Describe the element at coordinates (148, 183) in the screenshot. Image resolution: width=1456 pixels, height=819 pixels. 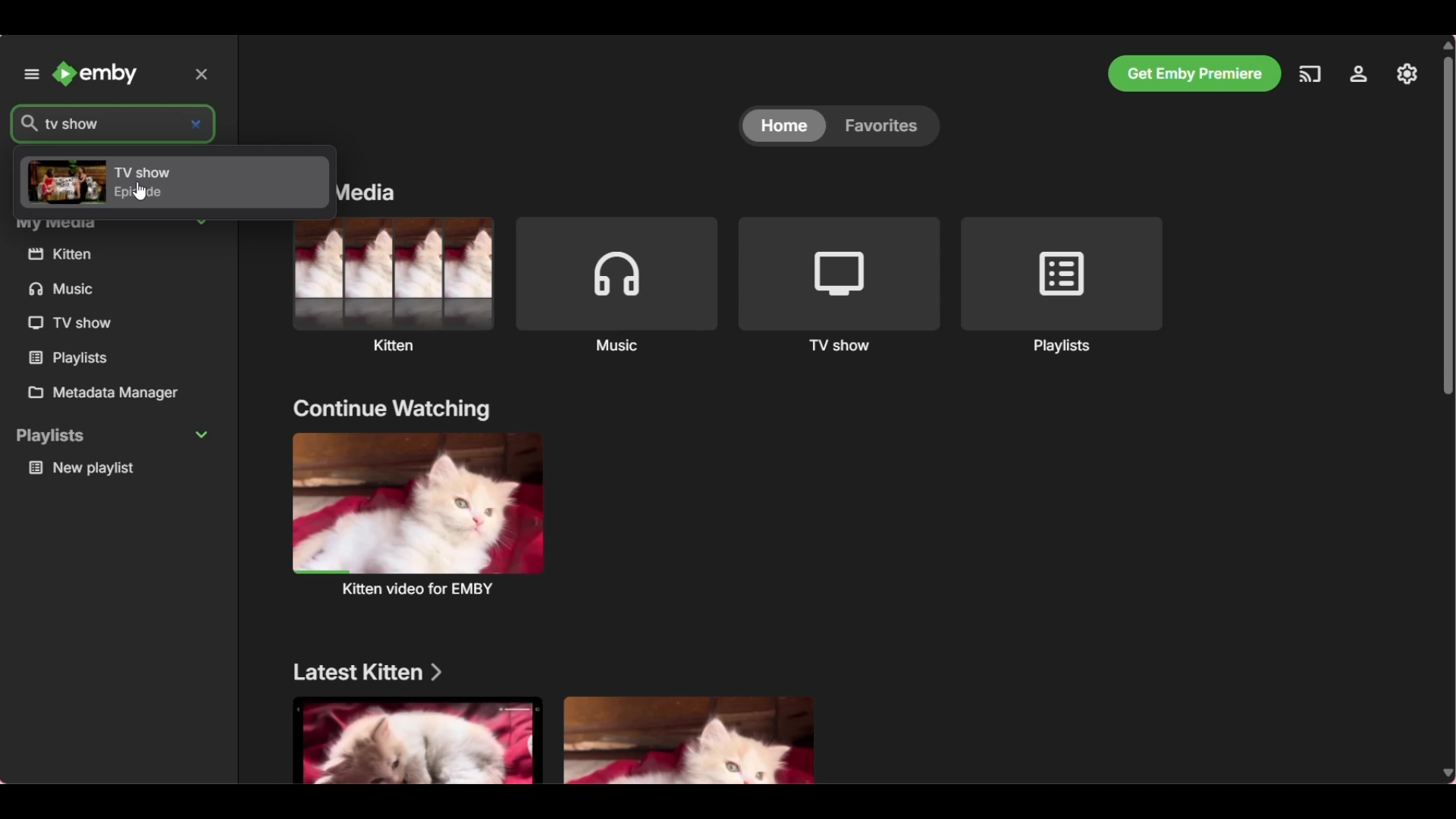
I see `TV show episode` at that location.